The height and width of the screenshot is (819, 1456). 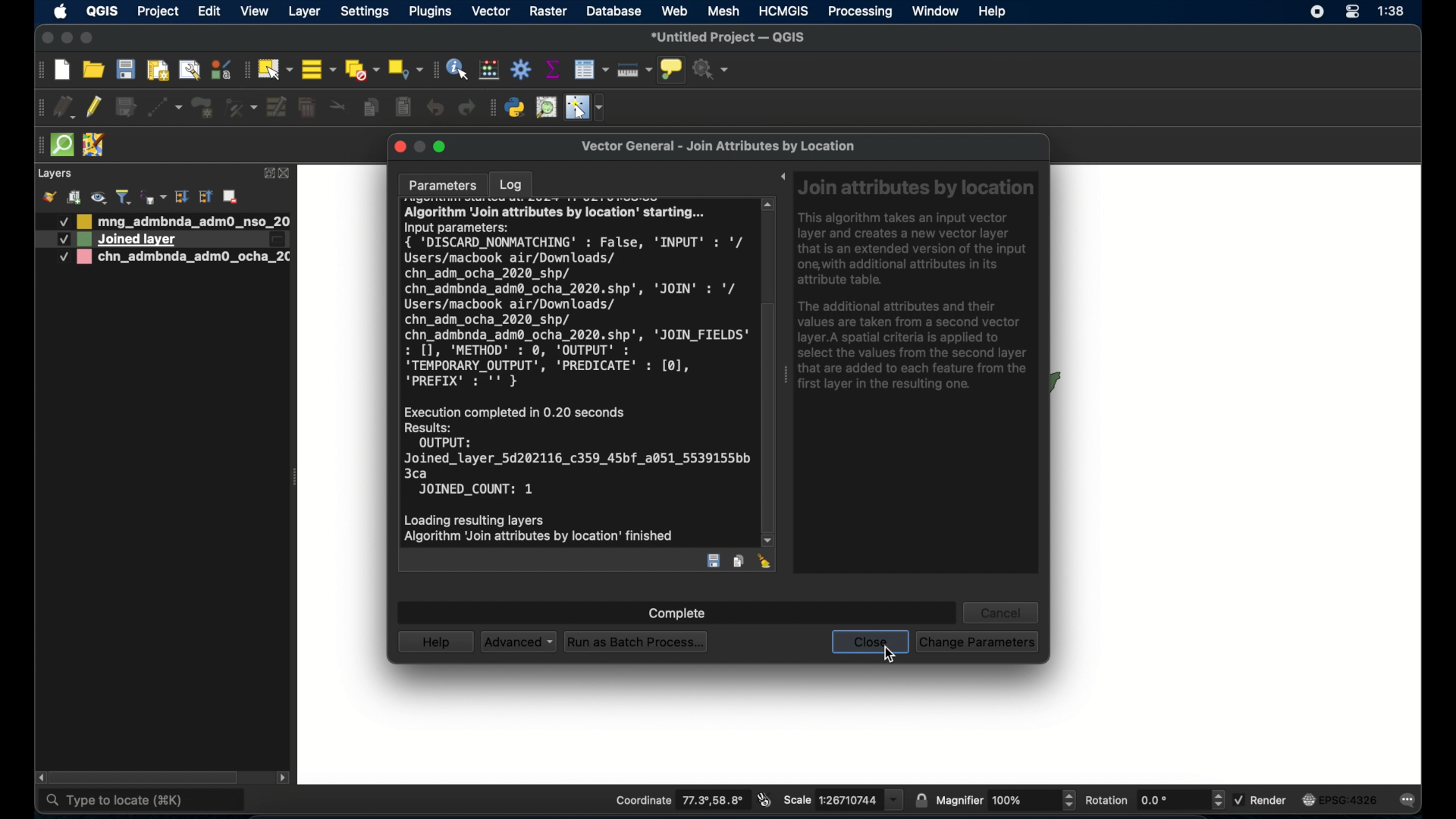 I want to click on redo, so click(x=466, y=109).